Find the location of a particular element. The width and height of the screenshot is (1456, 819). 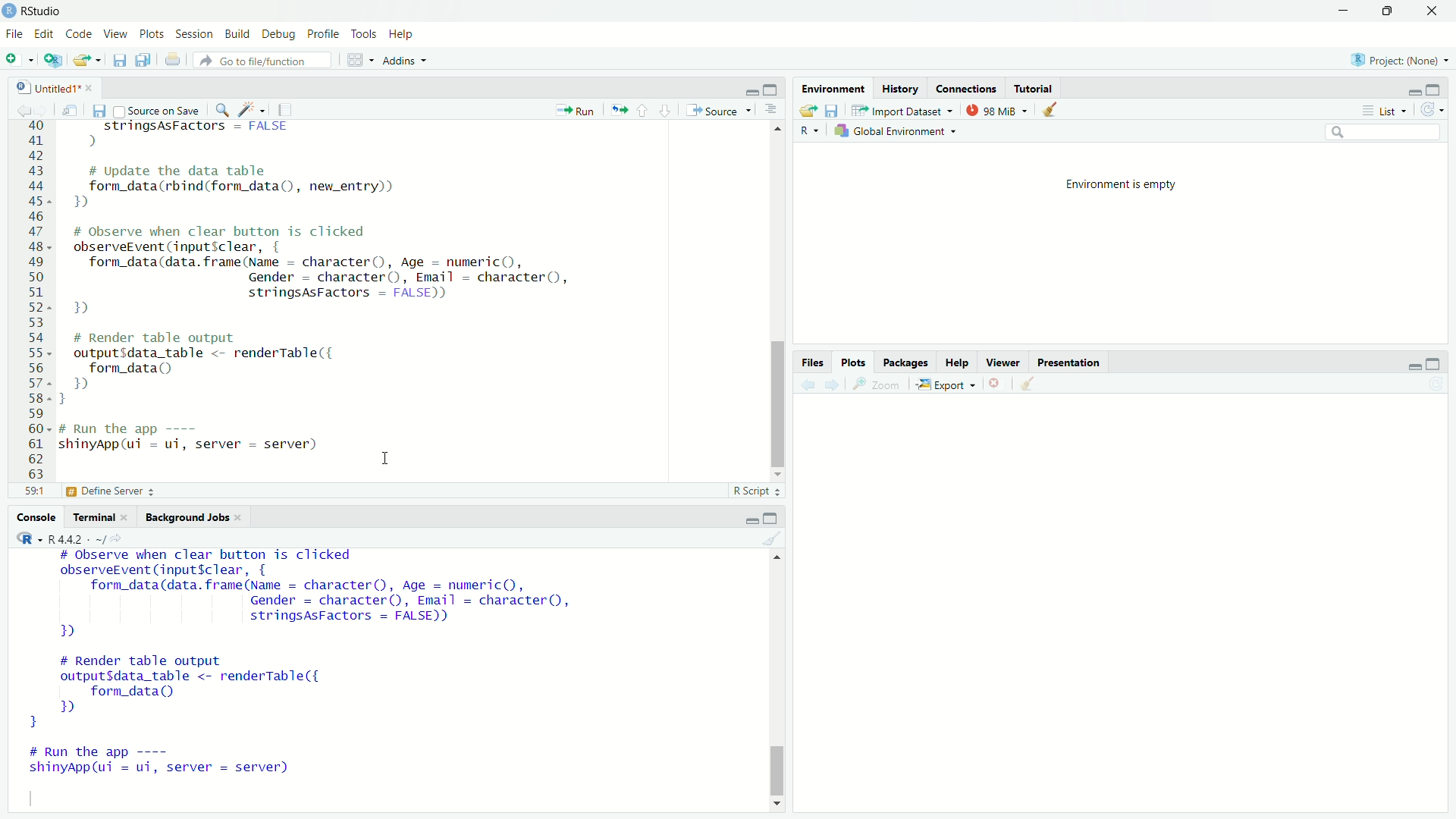

minimize is located at coordinates (1408, 362).